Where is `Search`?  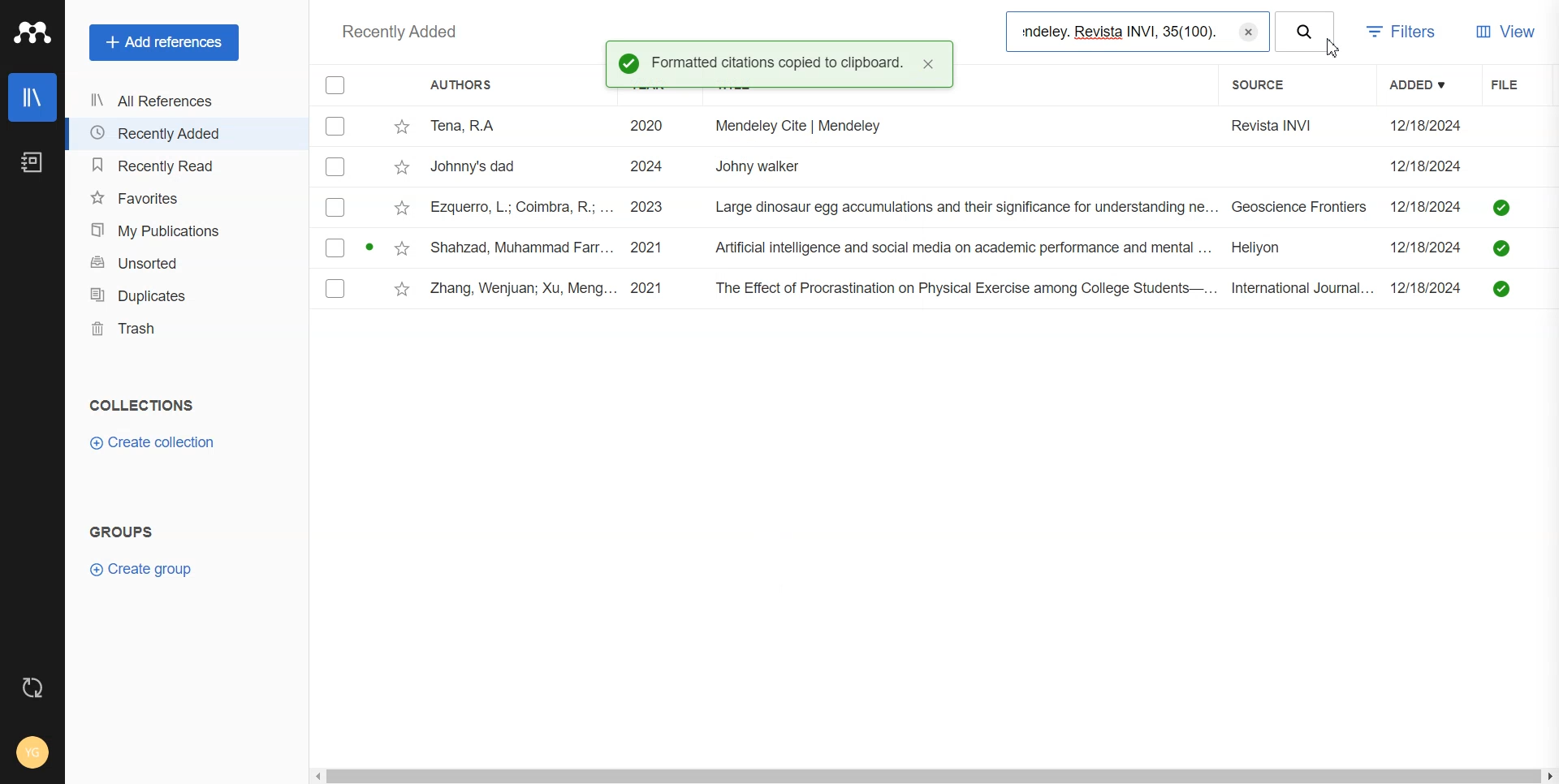 Search is located at coordinates (1306, 32).